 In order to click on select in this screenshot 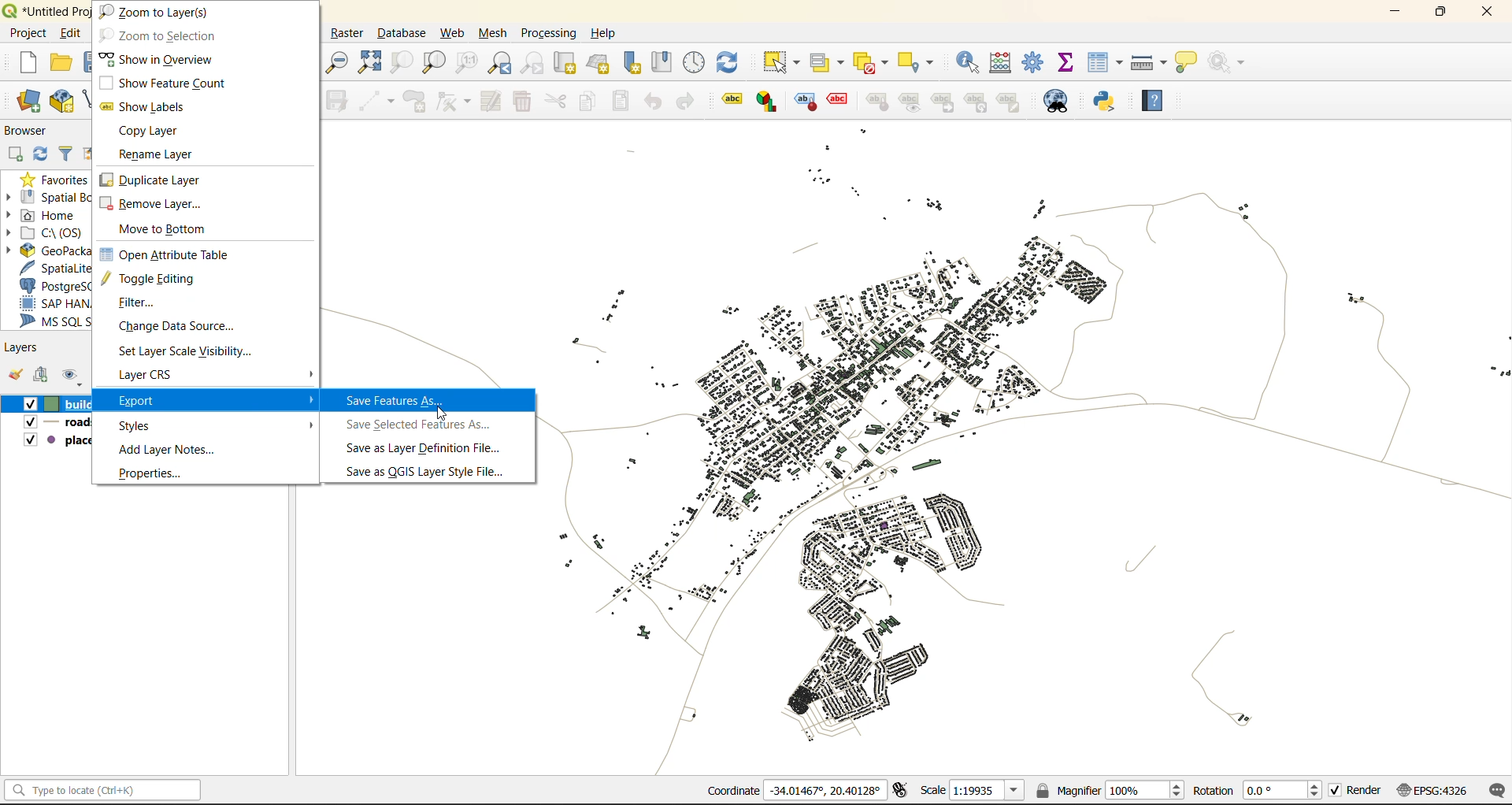, I will do `click(779, 62)`.